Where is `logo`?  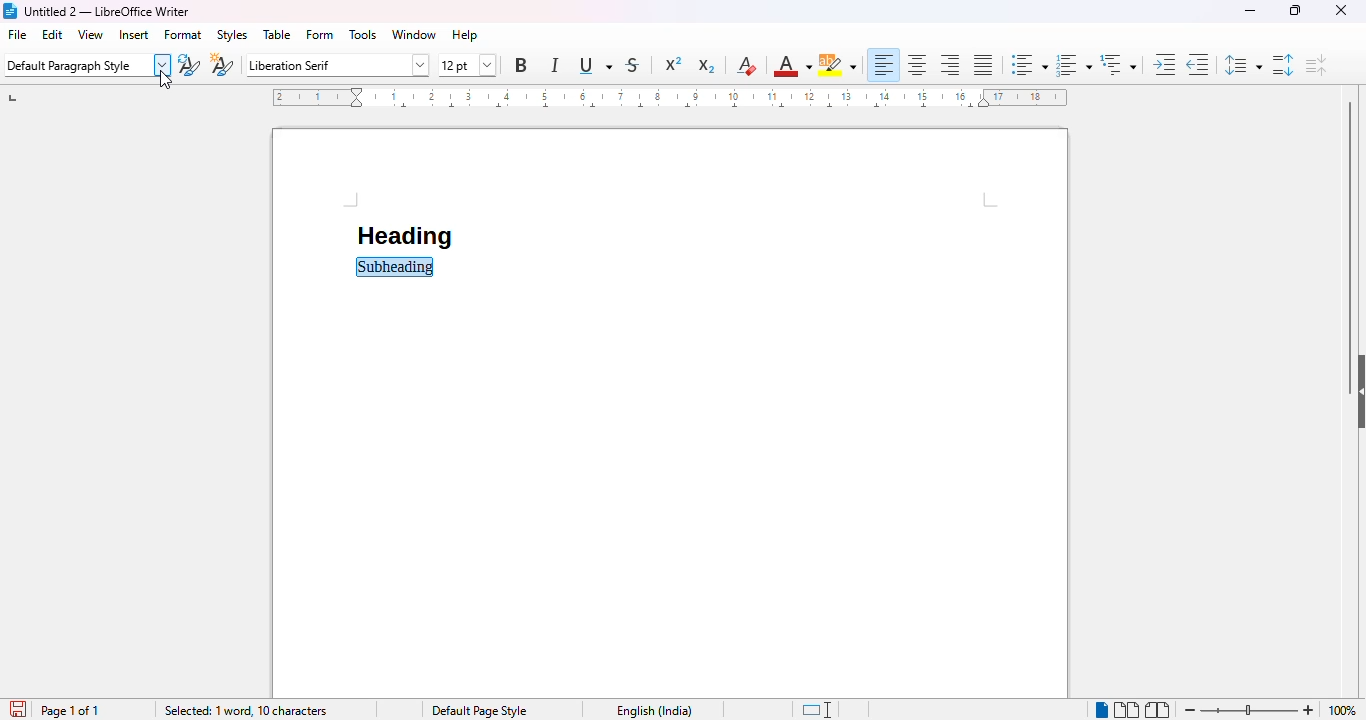 logo is located at coordinates (11, 11).